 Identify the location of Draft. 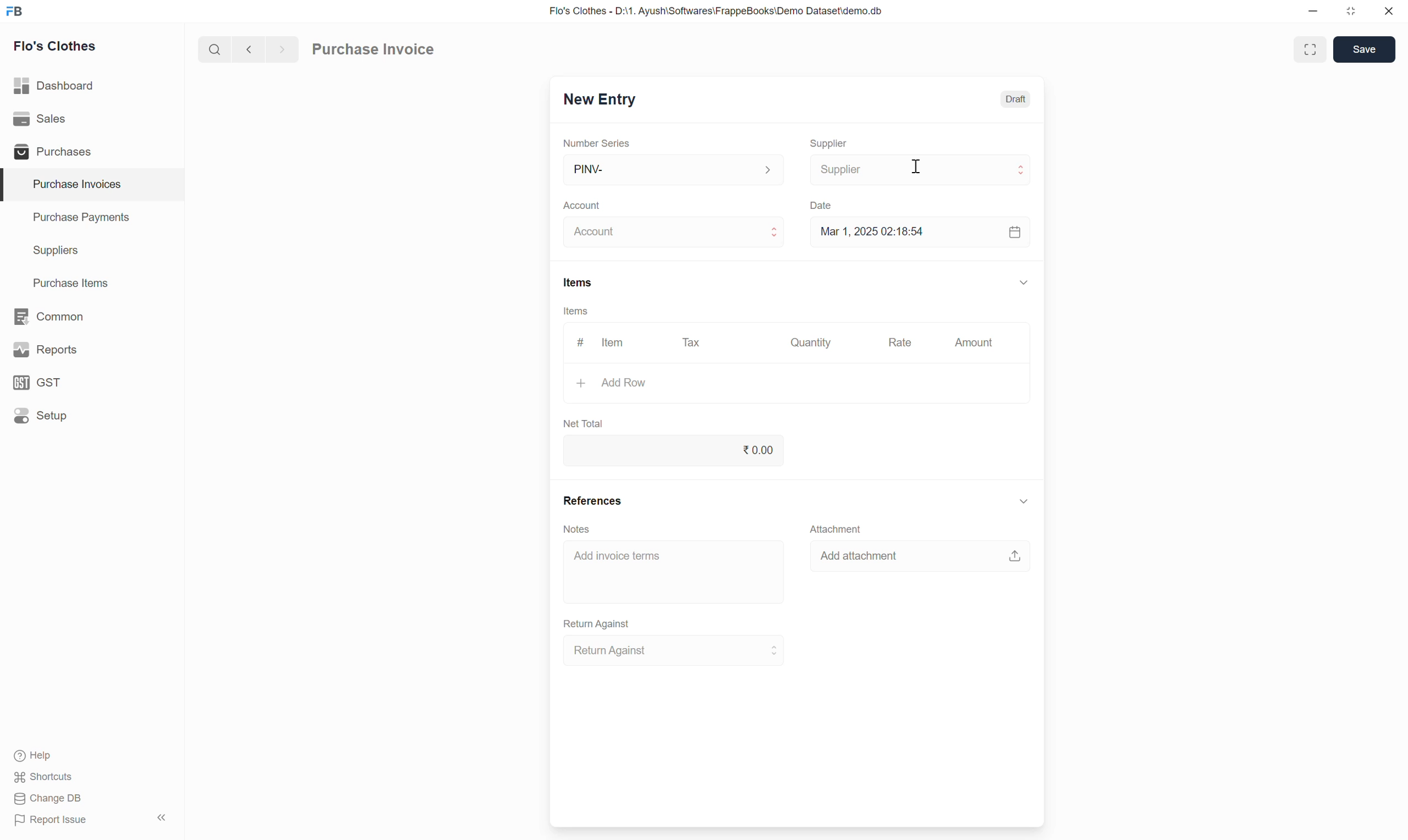
(1016, 100).